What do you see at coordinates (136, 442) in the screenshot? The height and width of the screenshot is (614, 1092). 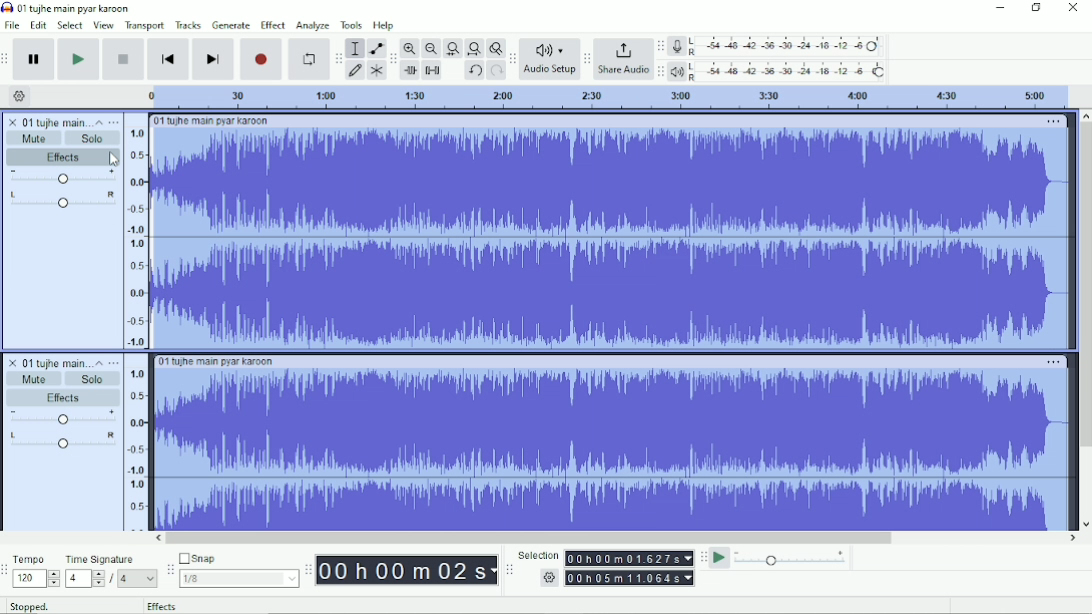 I see `Sound` at bounding box center [136, 442].